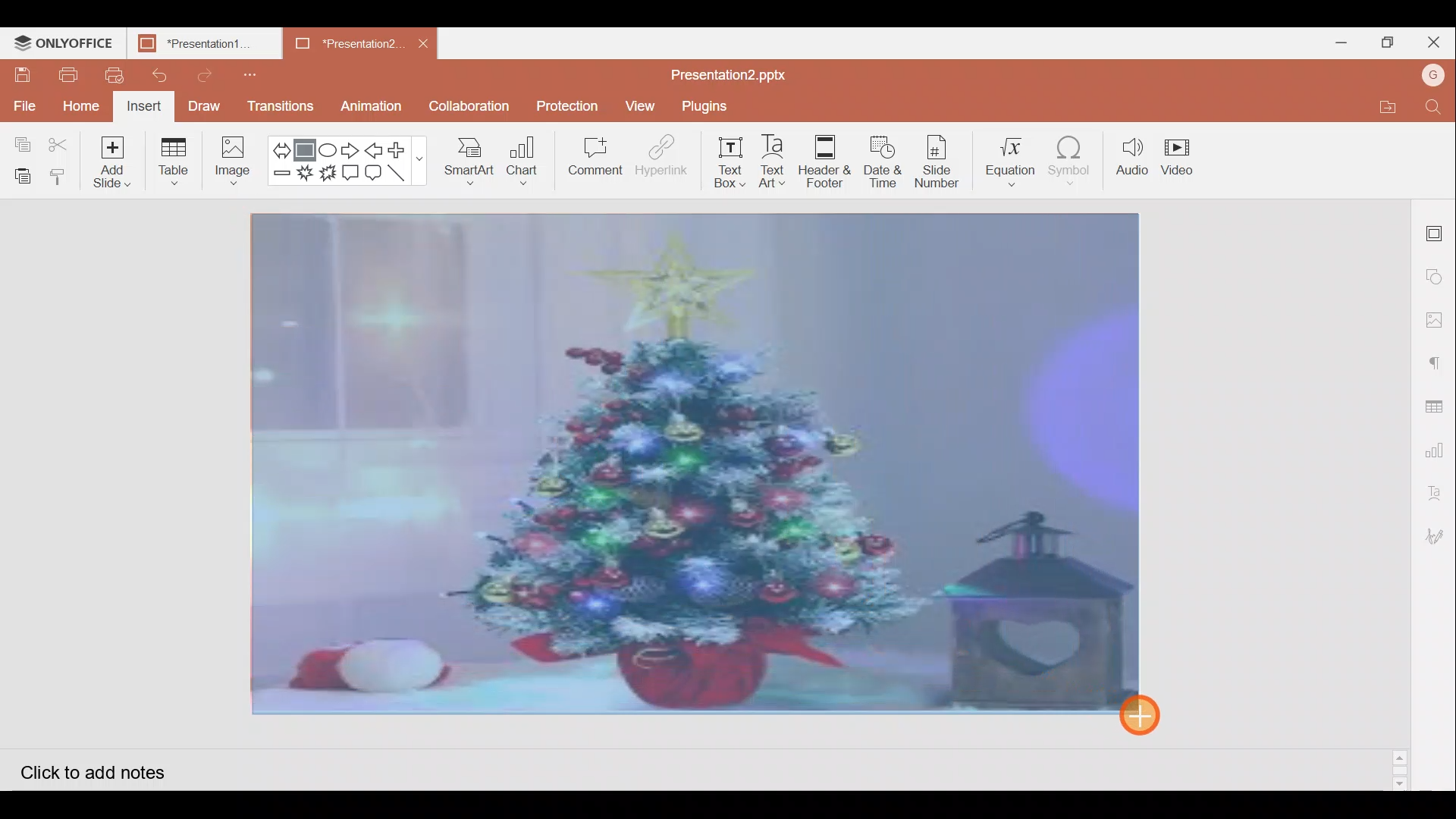 Image resolution: width=1456 pixels, height=819 pixels. Describe the element at coordinates (22, 75) in the screenshot. I see `Save` at that location.